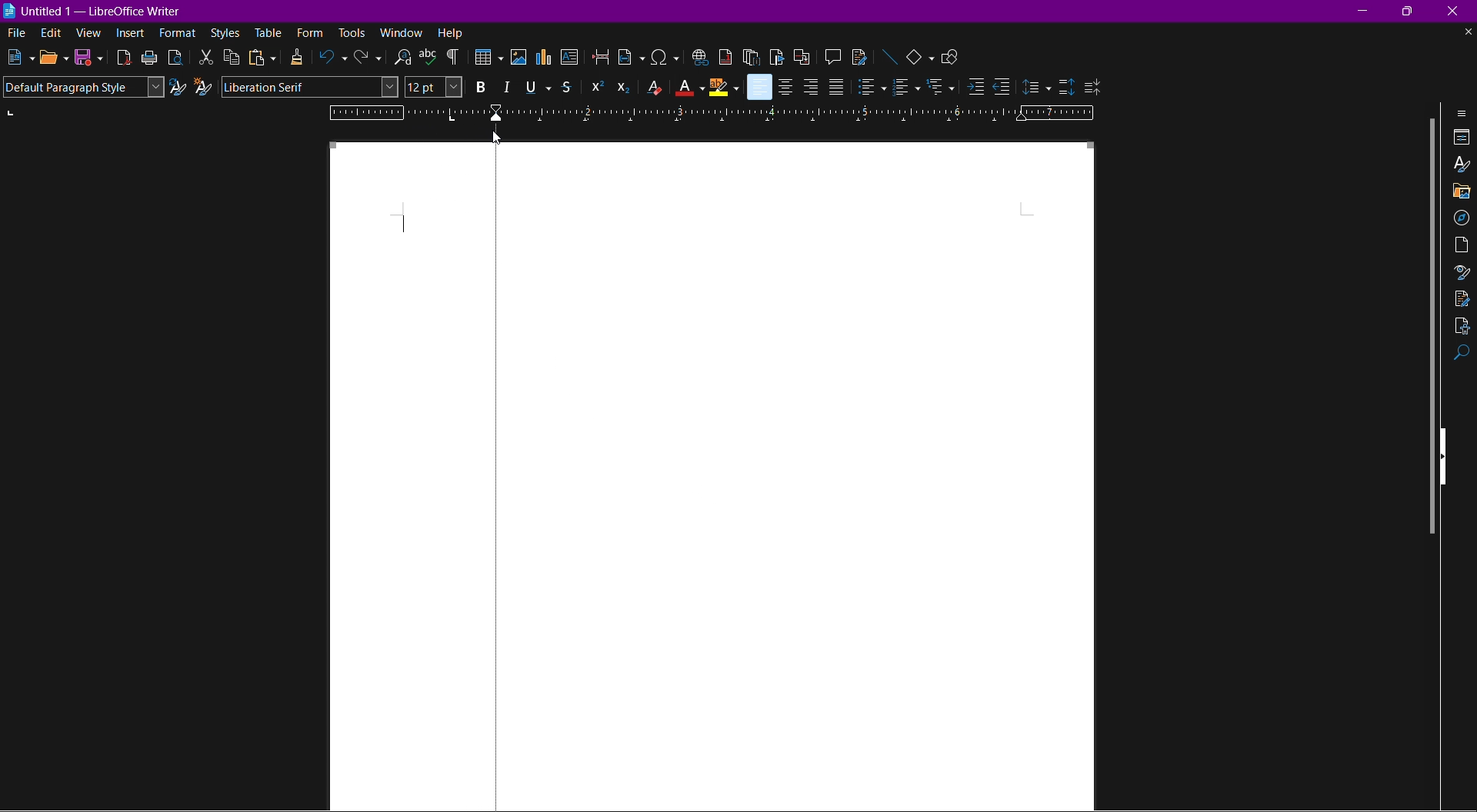  Describe the element at coordinates (1462, 355) in the screenshot. I see `Find` at that location.